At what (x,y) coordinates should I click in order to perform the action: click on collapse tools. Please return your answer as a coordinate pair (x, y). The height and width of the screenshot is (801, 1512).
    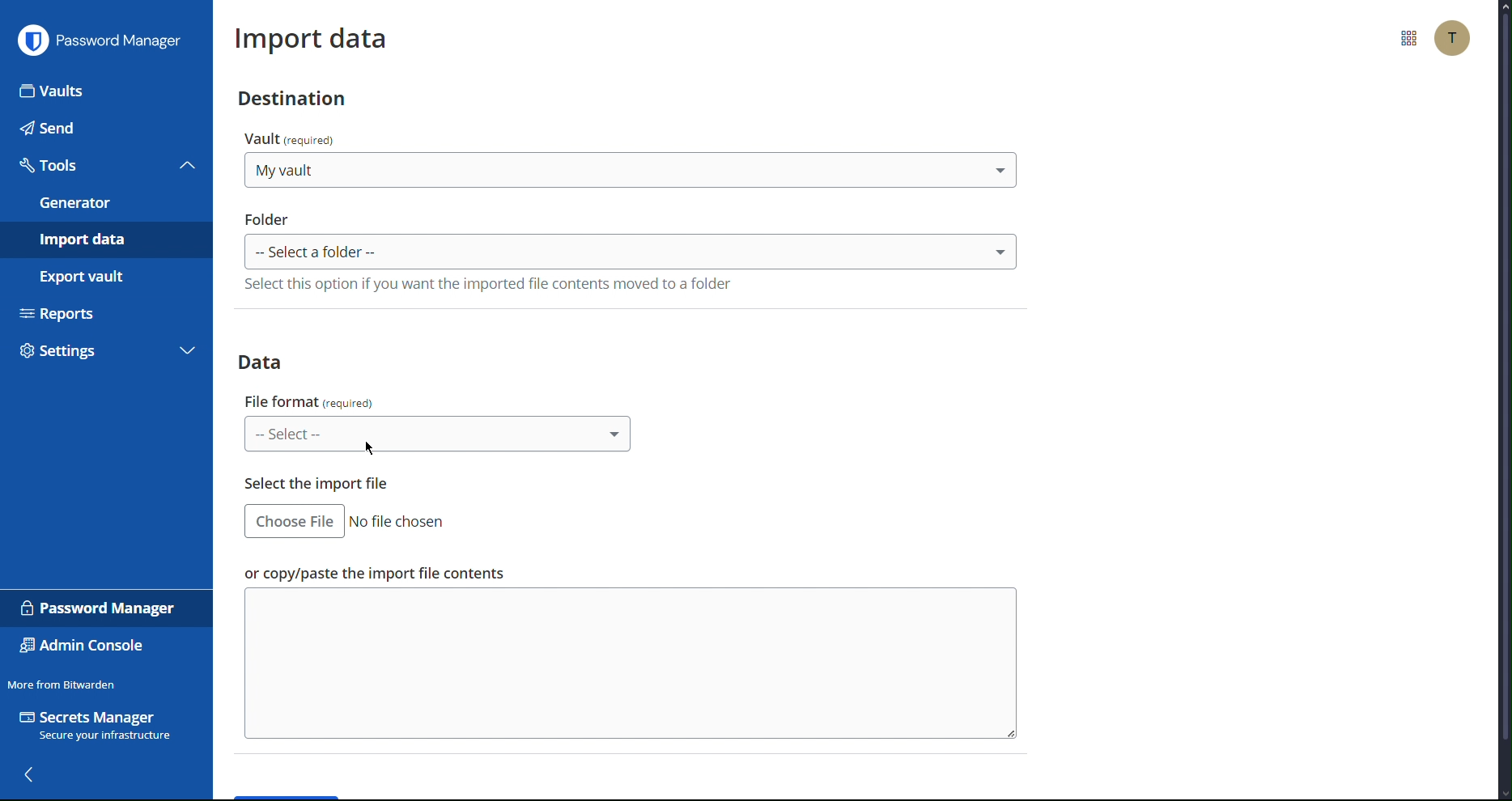
    Looking at the image, I should click on (188, 164).